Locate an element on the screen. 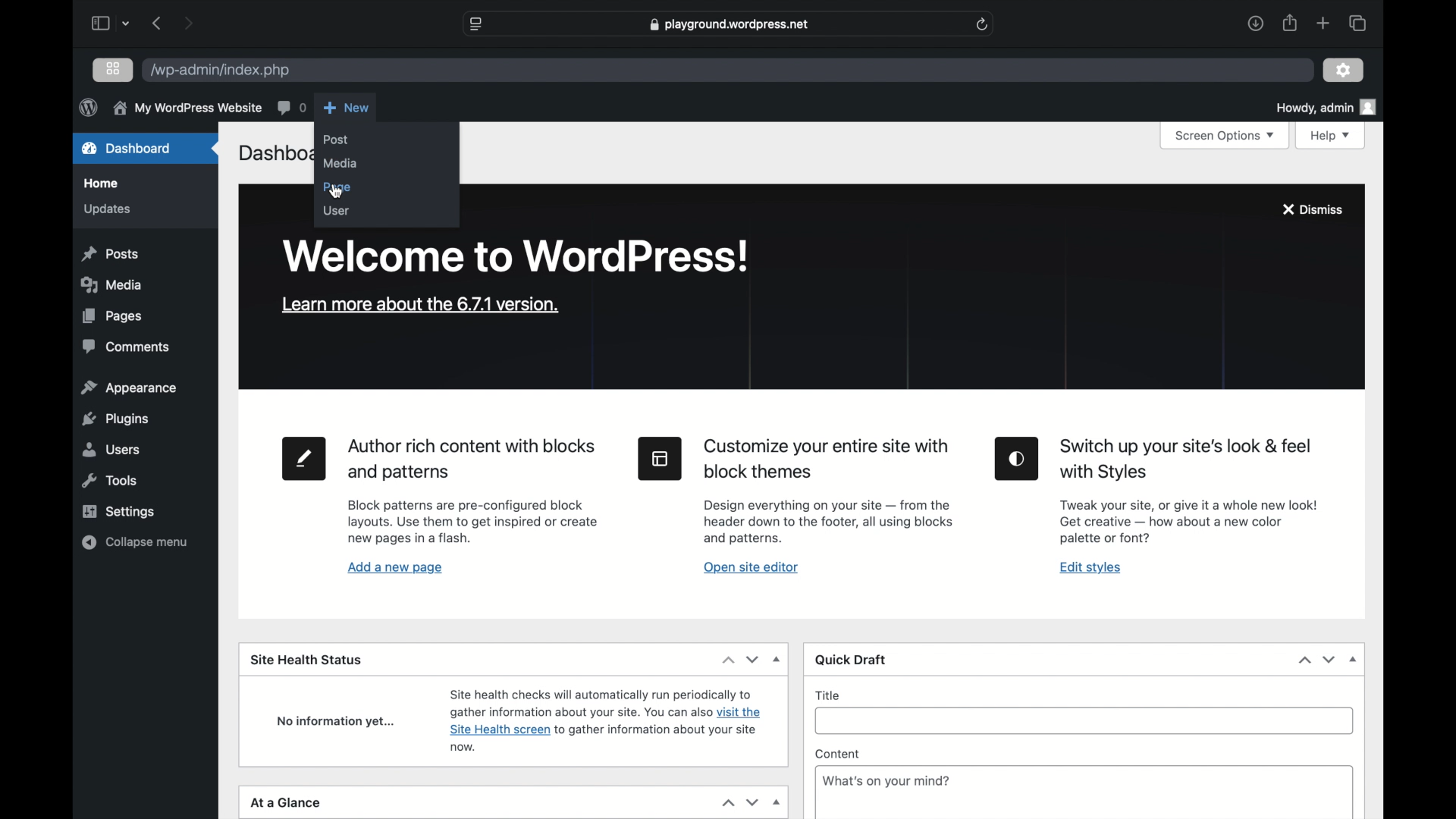 The height and width of the screenshot is (819, 1456). previous page is located at coordinates (158, 23).